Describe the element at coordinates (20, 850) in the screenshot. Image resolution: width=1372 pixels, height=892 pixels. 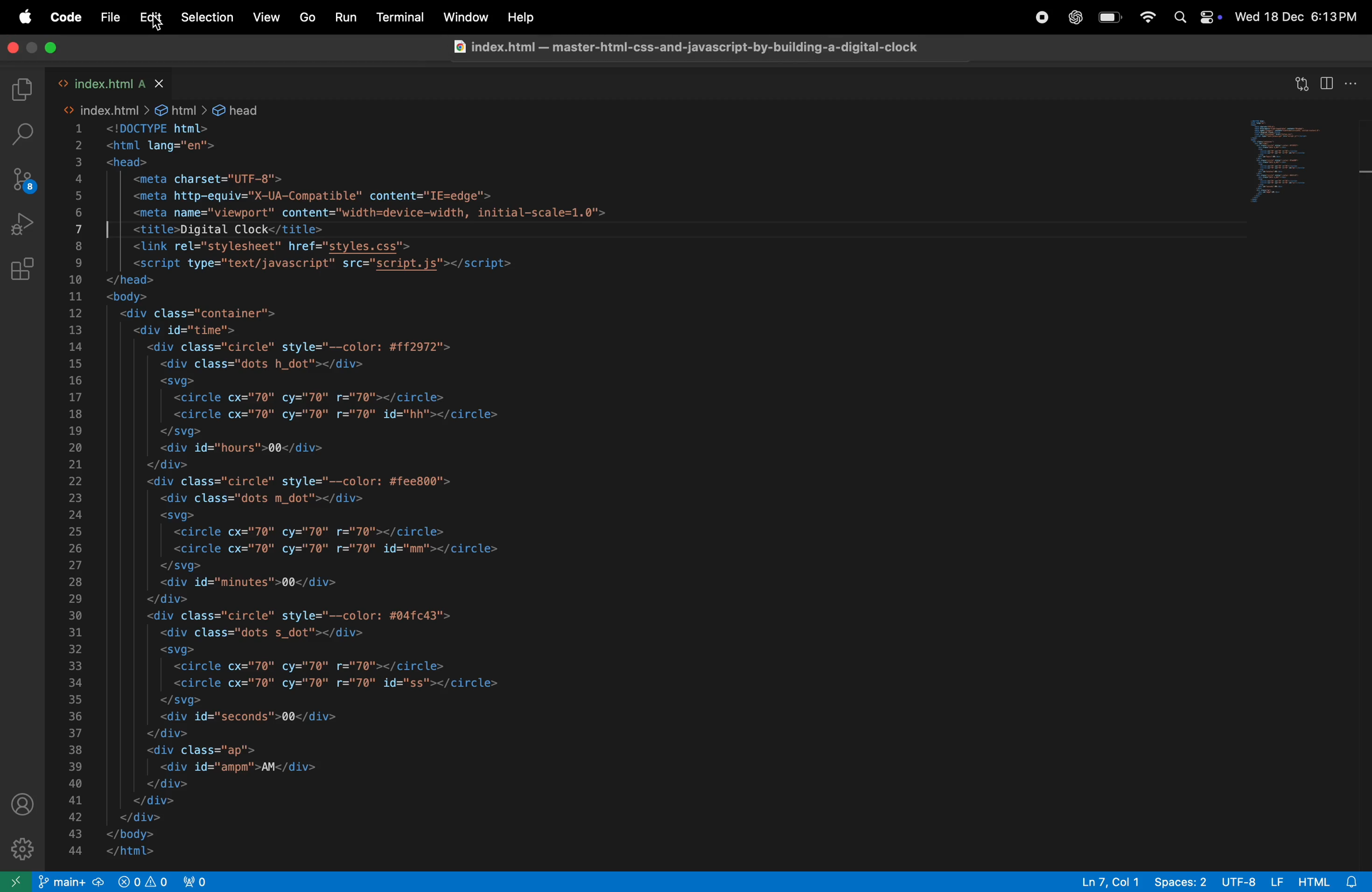
I see `settings` at that location.